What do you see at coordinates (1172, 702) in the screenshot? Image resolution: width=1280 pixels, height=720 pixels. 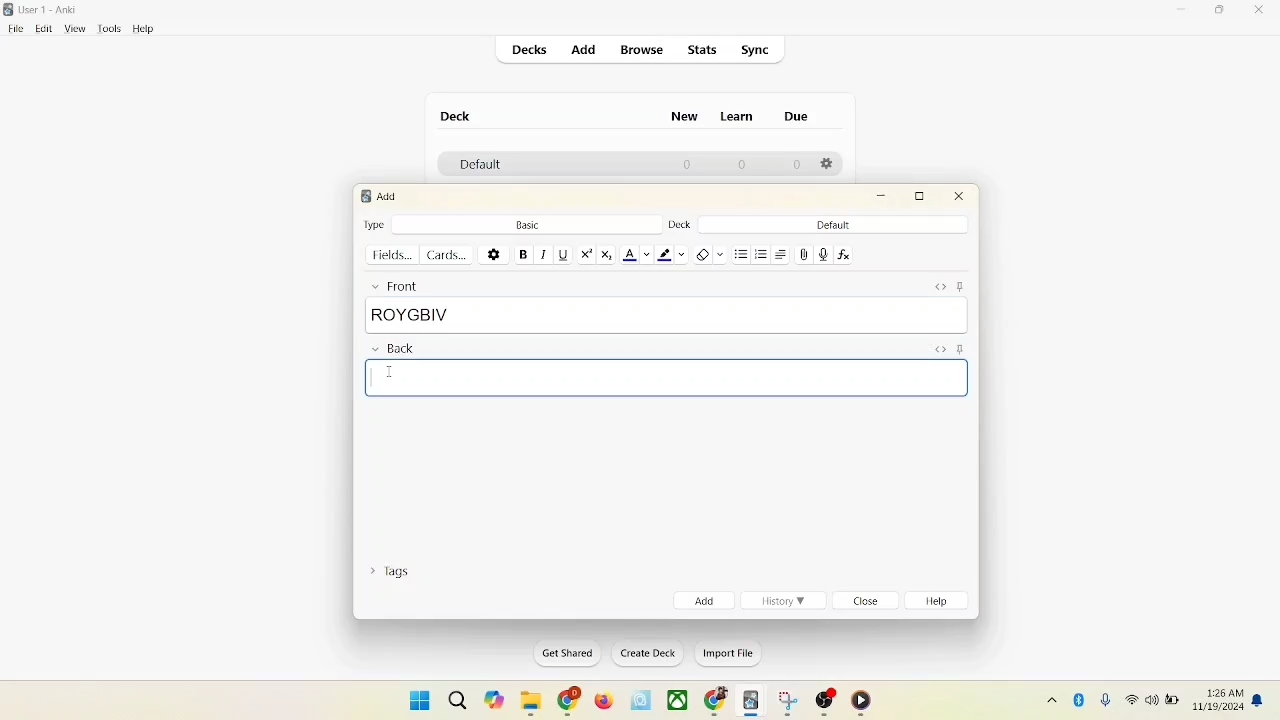 I see `battery` at bounding box center [1172, 702].